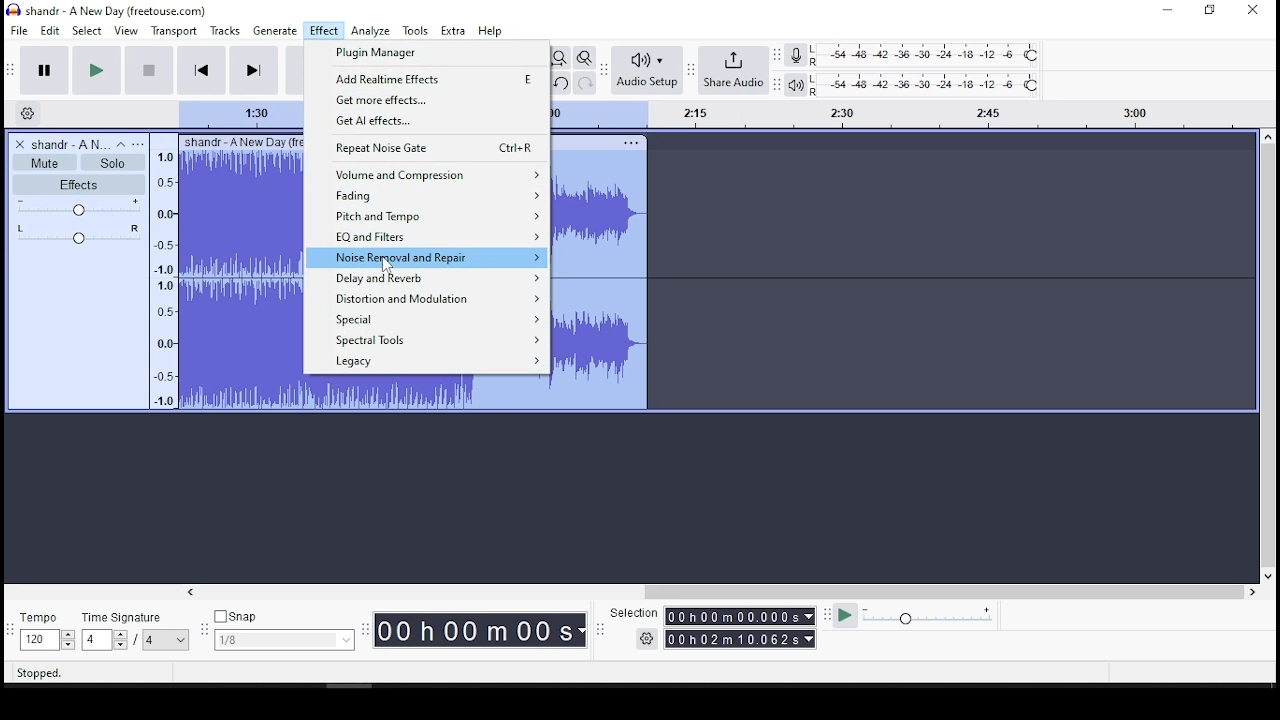 This screenshot has height=720, width=1280. I want to click on playback level , so click(927, 84).